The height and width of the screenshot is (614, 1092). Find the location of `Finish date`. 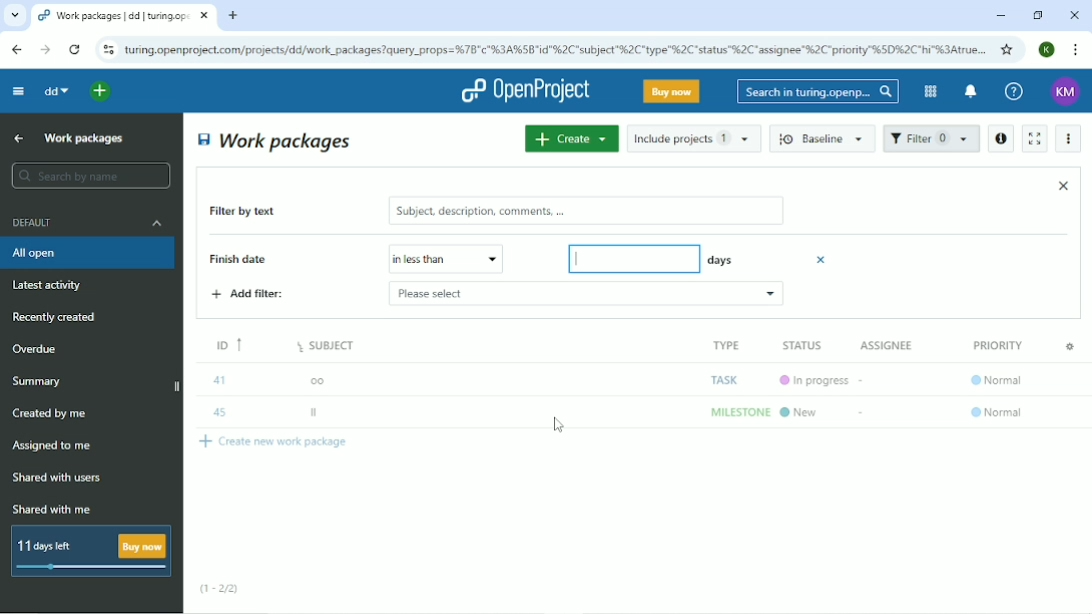

Finish date is located at coordinates (254, 260).